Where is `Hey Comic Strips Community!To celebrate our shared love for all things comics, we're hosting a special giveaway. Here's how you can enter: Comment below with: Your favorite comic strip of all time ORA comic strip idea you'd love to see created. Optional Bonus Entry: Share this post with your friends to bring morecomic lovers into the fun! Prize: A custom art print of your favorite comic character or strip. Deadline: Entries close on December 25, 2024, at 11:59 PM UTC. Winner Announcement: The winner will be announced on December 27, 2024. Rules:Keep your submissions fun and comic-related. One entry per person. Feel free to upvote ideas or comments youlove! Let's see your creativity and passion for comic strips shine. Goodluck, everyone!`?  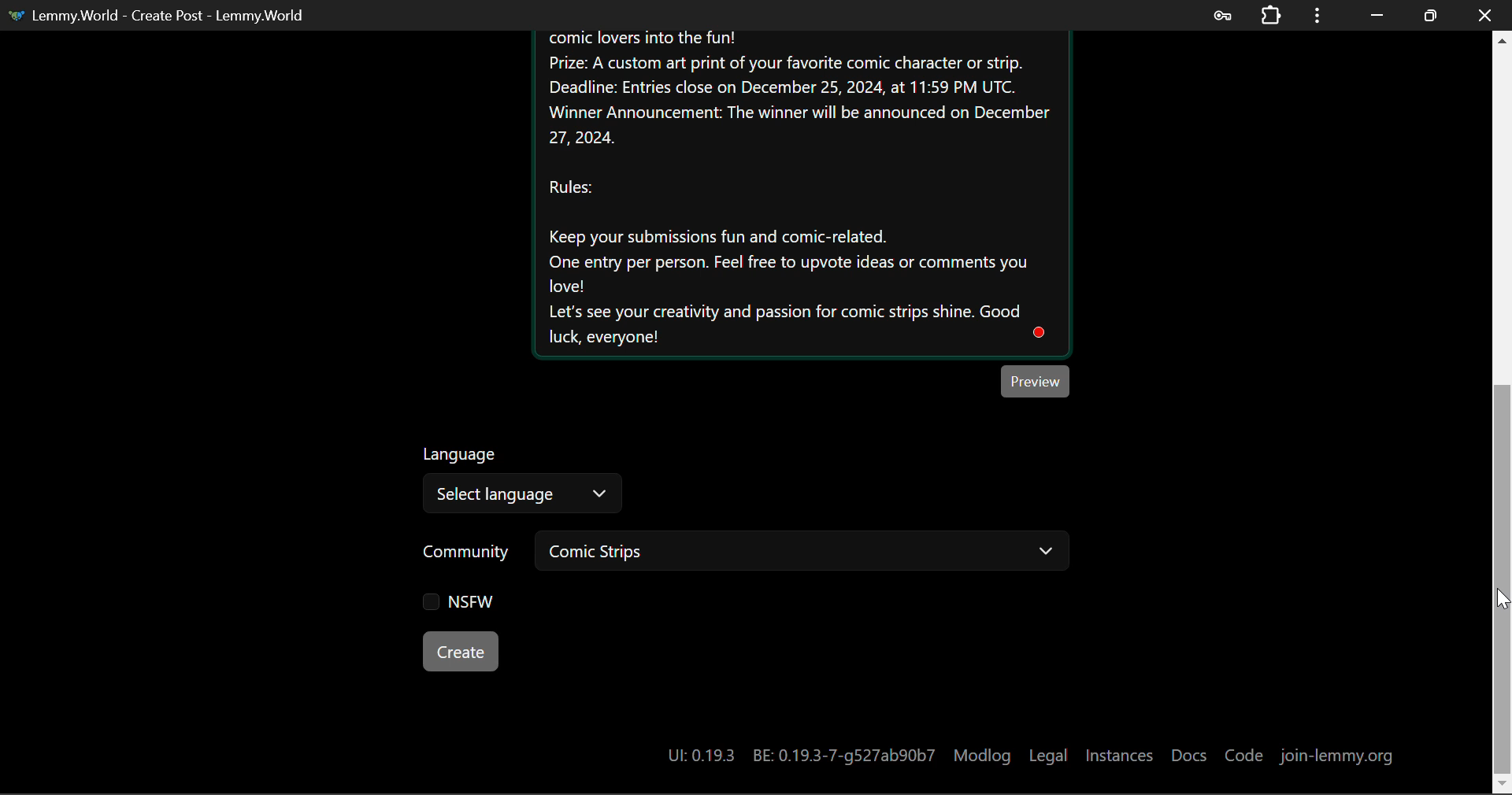
Hey Comic Strips Community!To celebrate our shared love for all things comics, we're hosting a special giveaway. Here's how you can enter: Comment below with: Your favorite comic strip of all time ORA comic strip idea you'd love to see created. Optional Bonus Entry: Share this post with your friends to bring morecomic lovers into the fun! Prize: A custom art print of your favorite comic character or strip. Deadline: Entries close on December 25, 2024, at 11:59 PM UTC. Winner Announcement: The winner will be announced on December 27, 2024. Rules:Keep your submissions fun and comic-related. One entry per person. Feel free to upvote ideas or comments youlove! Let's see your creativity and passion for comic strips shine. Goodluck, everyone! is located at coordinates (800, 193).